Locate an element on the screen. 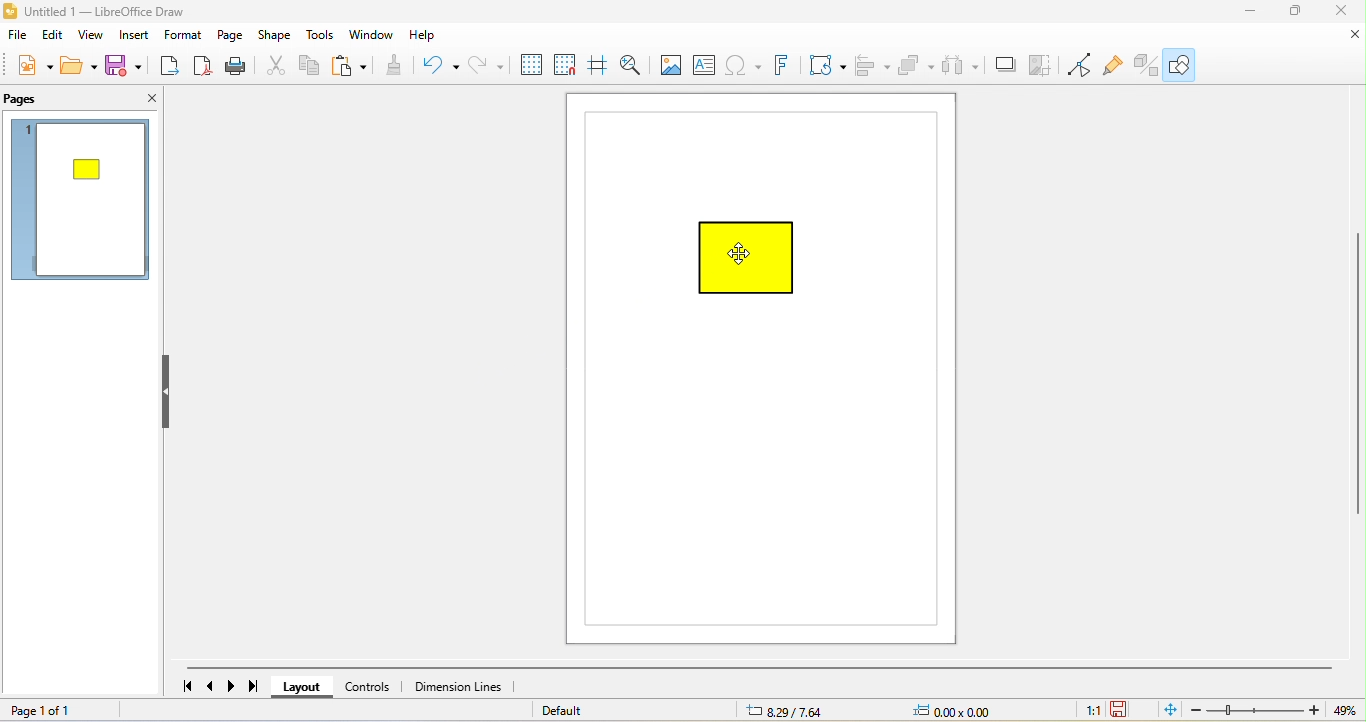  export is located at coordinates (167, 68).